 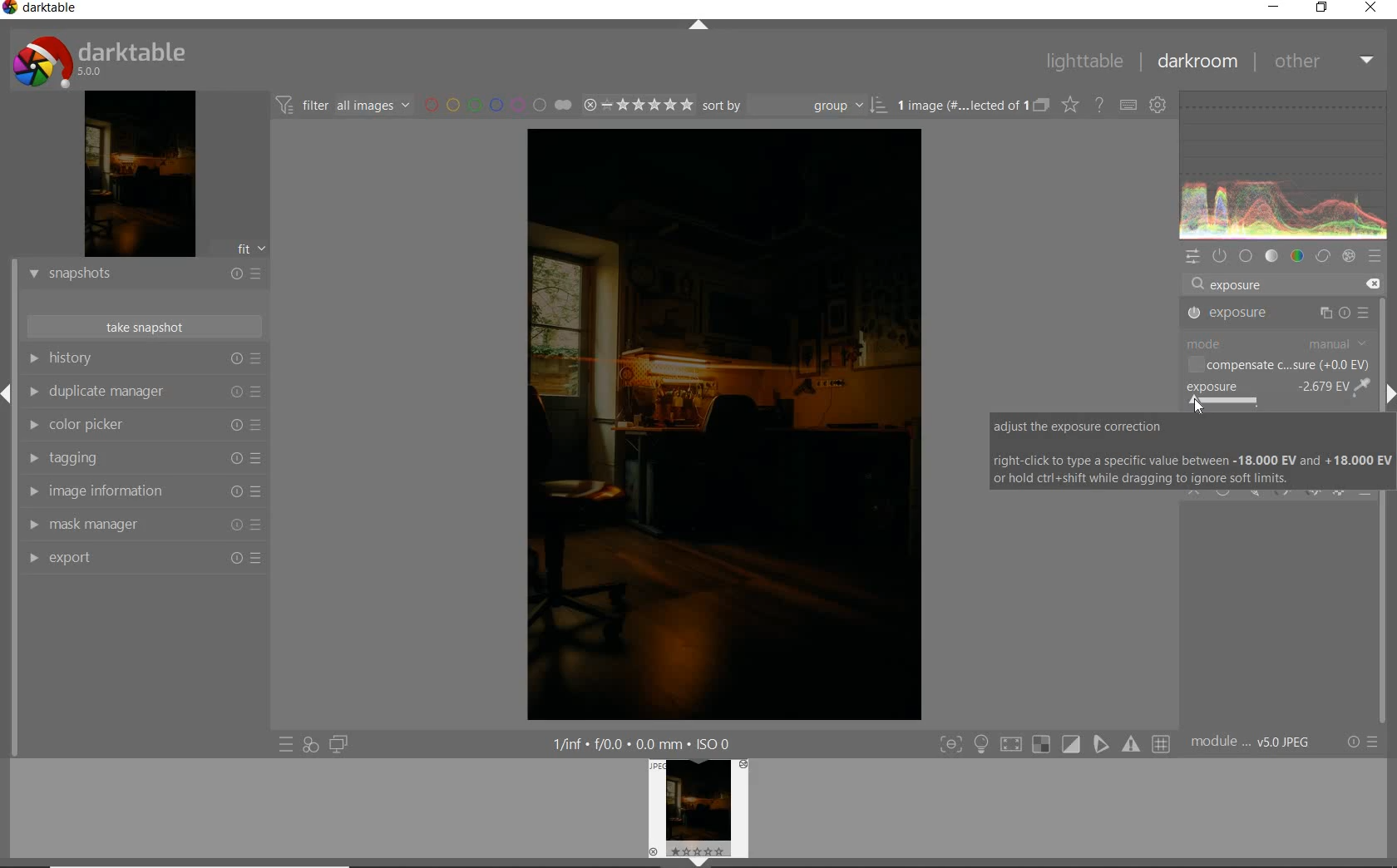 I want to click on image preview, so click(x=136, y=175).